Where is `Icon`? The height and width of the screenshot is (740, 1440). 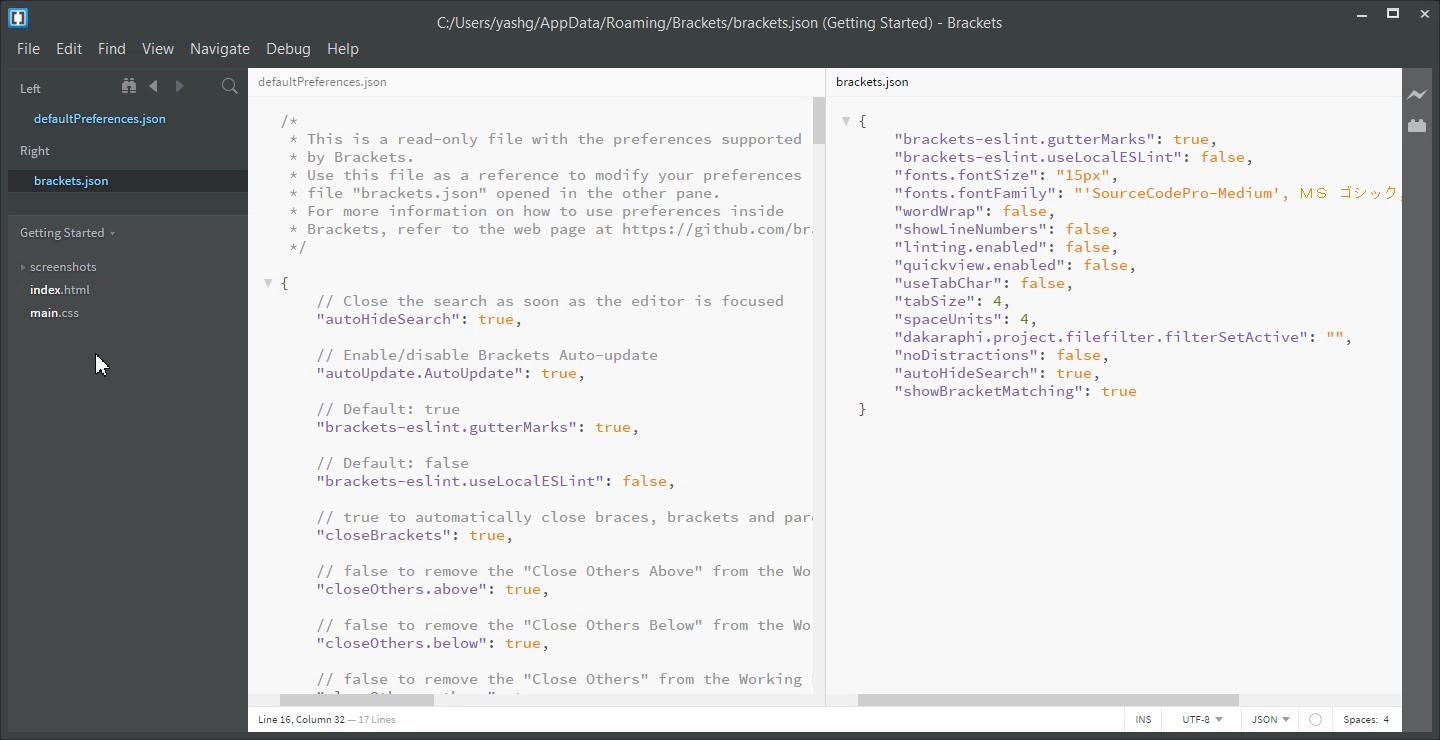
Icon is located at coordinates (1316, 720).